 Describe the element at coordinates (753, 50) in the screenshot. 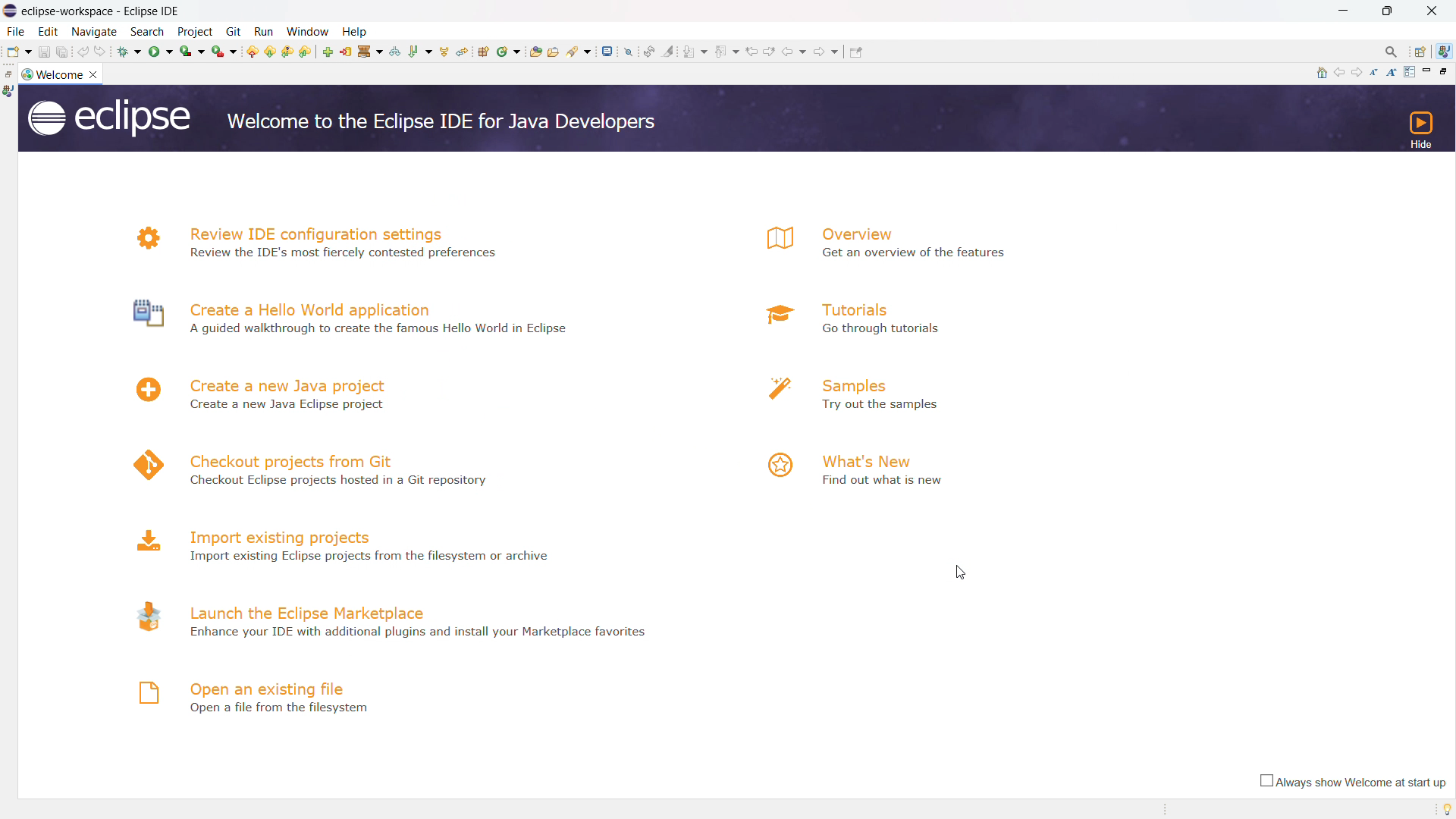

I see `previous edit location` at that location.